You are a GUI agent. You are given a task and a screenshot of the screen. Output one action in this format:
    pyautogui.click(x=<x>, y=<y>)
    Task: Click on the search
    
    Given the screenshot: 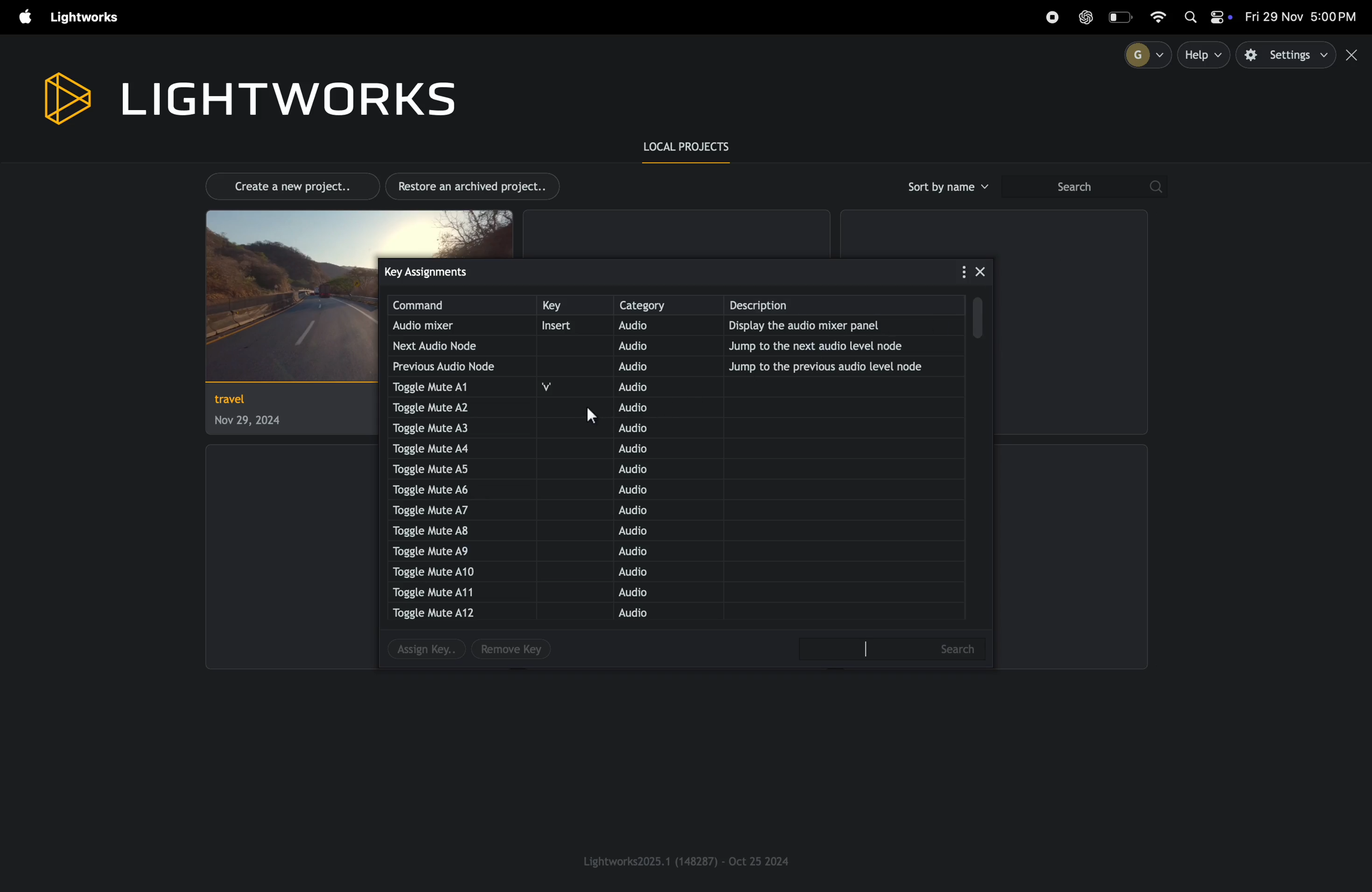 What is the action you would take?
    pyautogui.click(x=896, y=648)
    